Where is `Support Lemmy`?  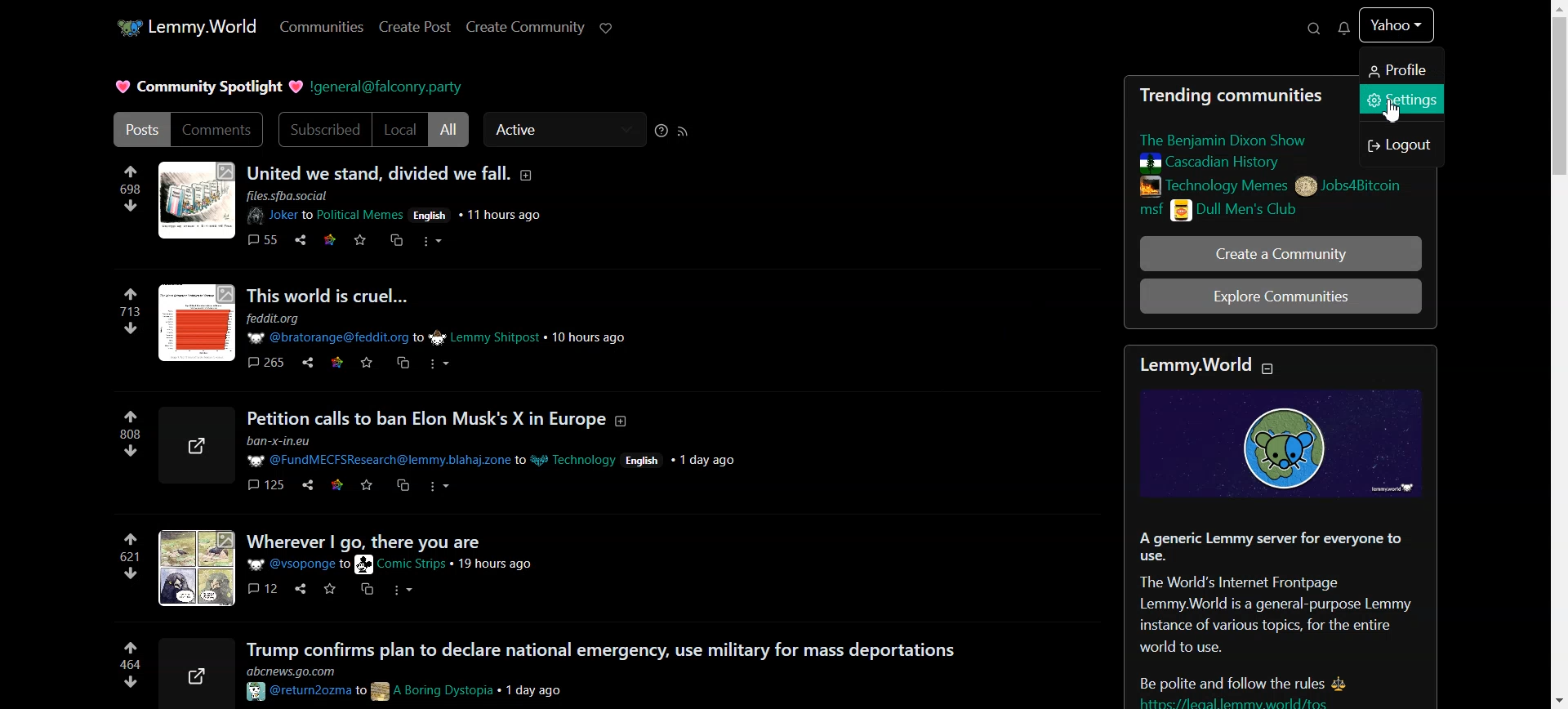
Support Lemmy is located at coordinates (608, 29).